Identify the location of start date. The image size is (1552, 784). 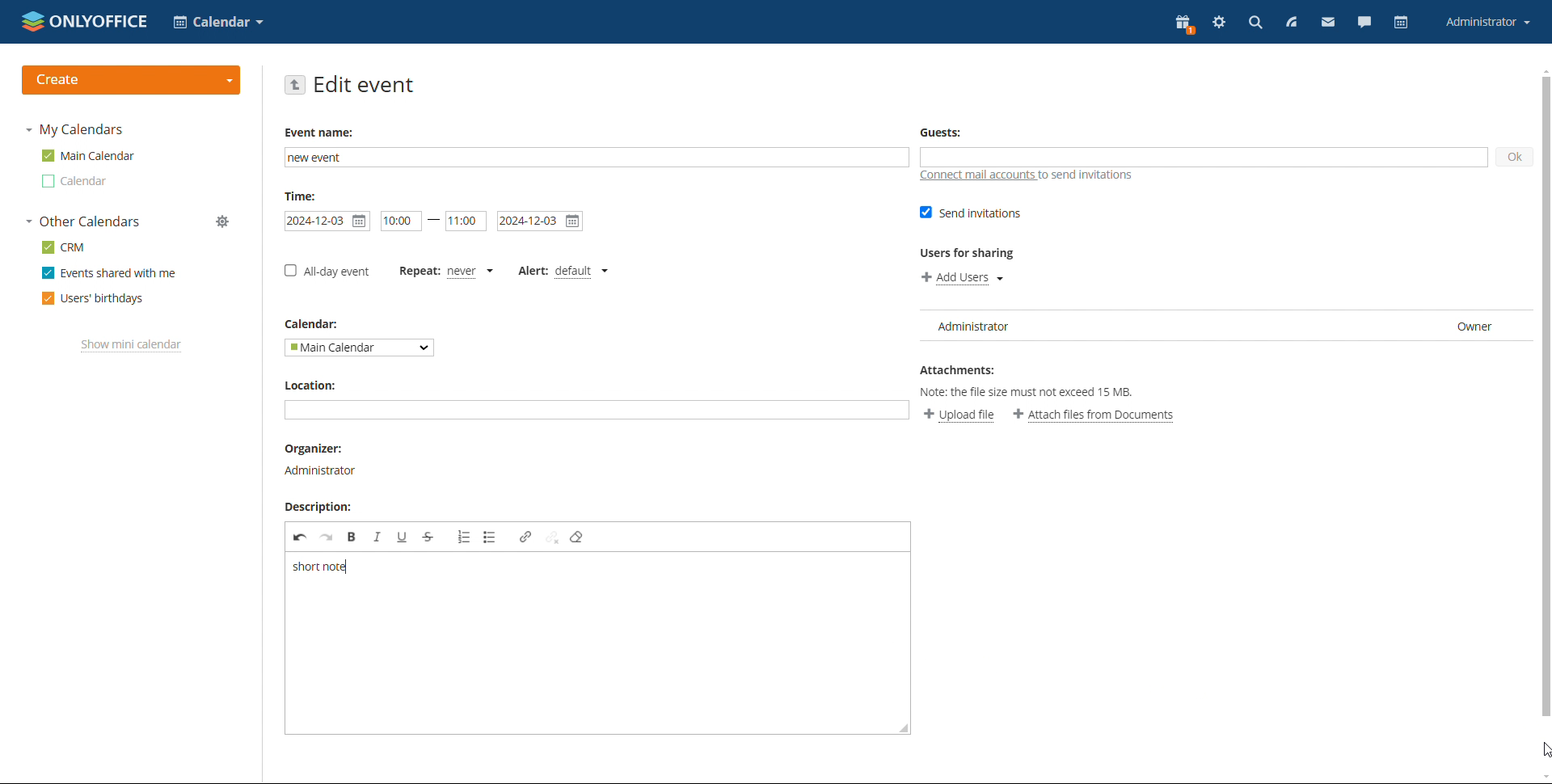
(327, 221).